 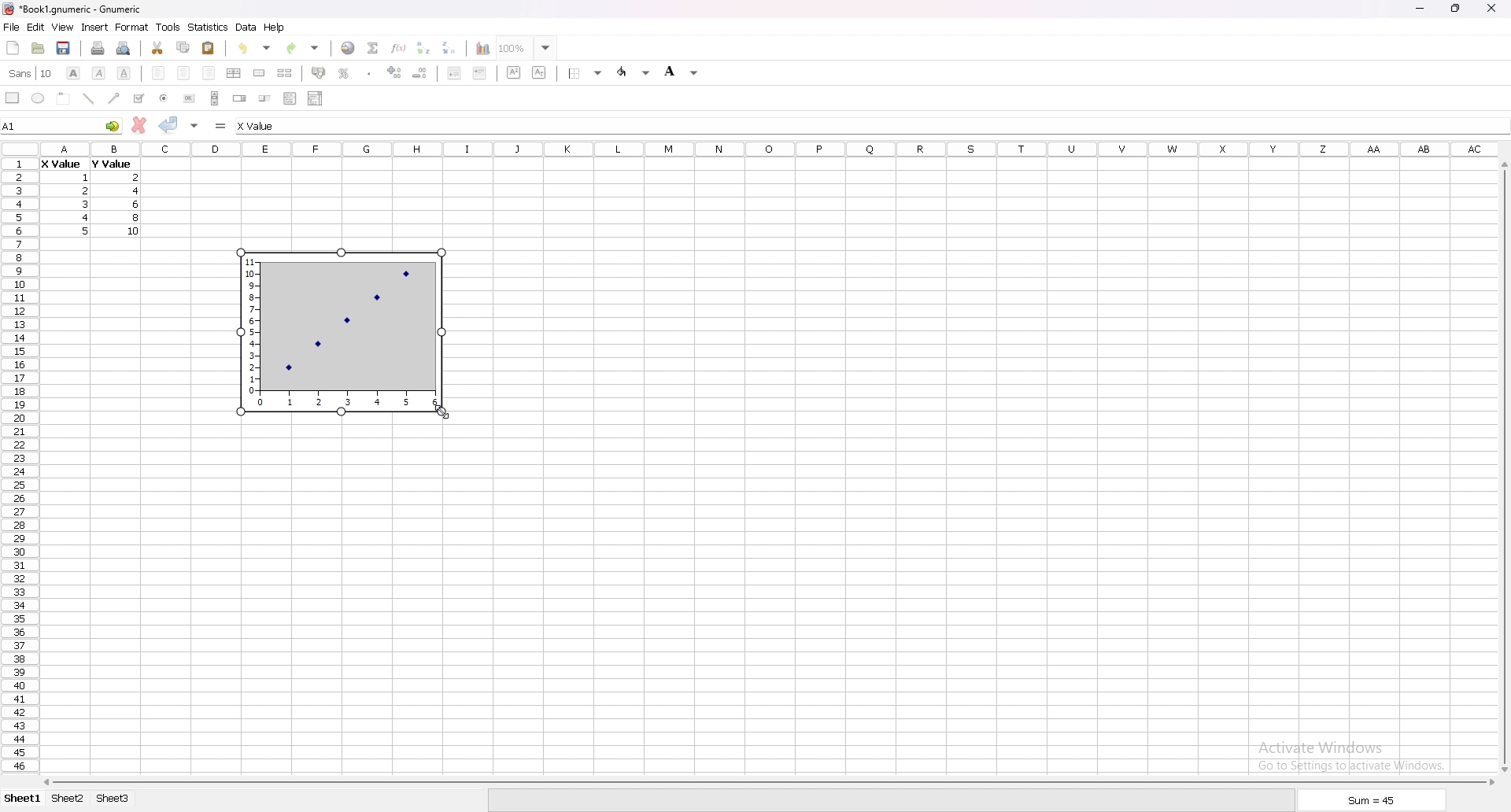 What do you see at coordinates (372, 47) in the screenshot?
I see `summation` at bounding box center [372, 47].